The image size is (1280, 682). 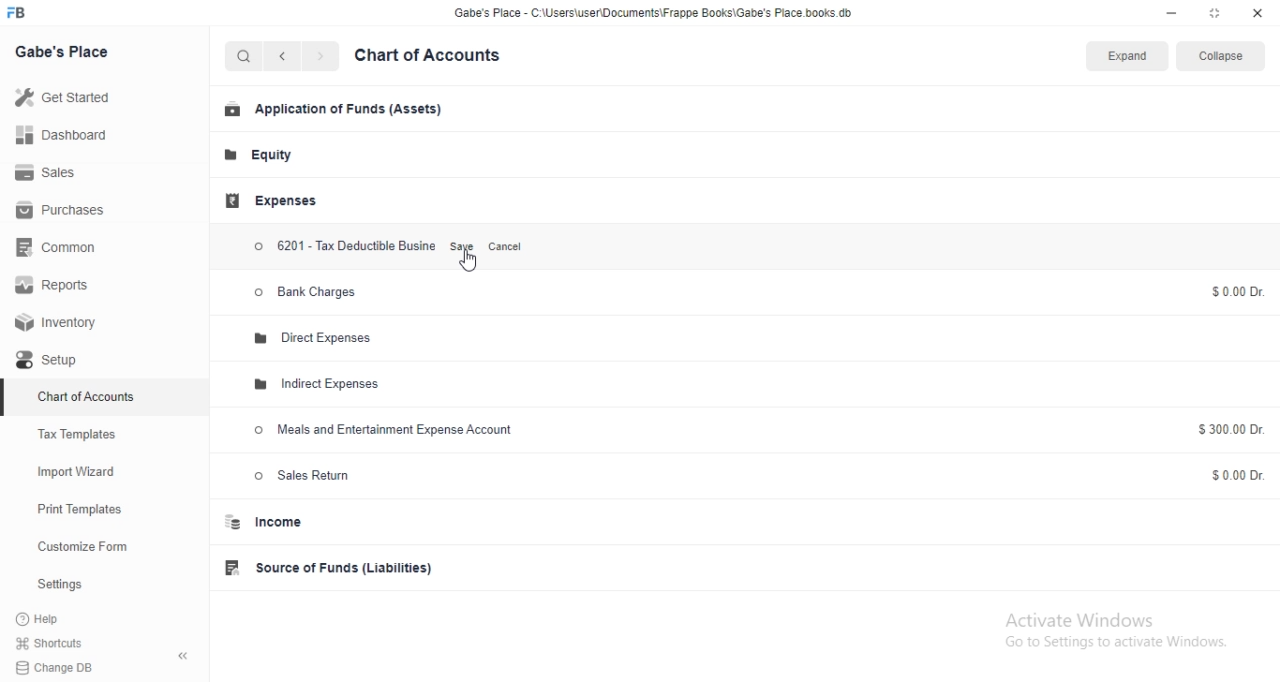 What do you see at coordinates (85, 431) in the screenshot?
I see `Tax Templates` at bounding box center [85, 431].